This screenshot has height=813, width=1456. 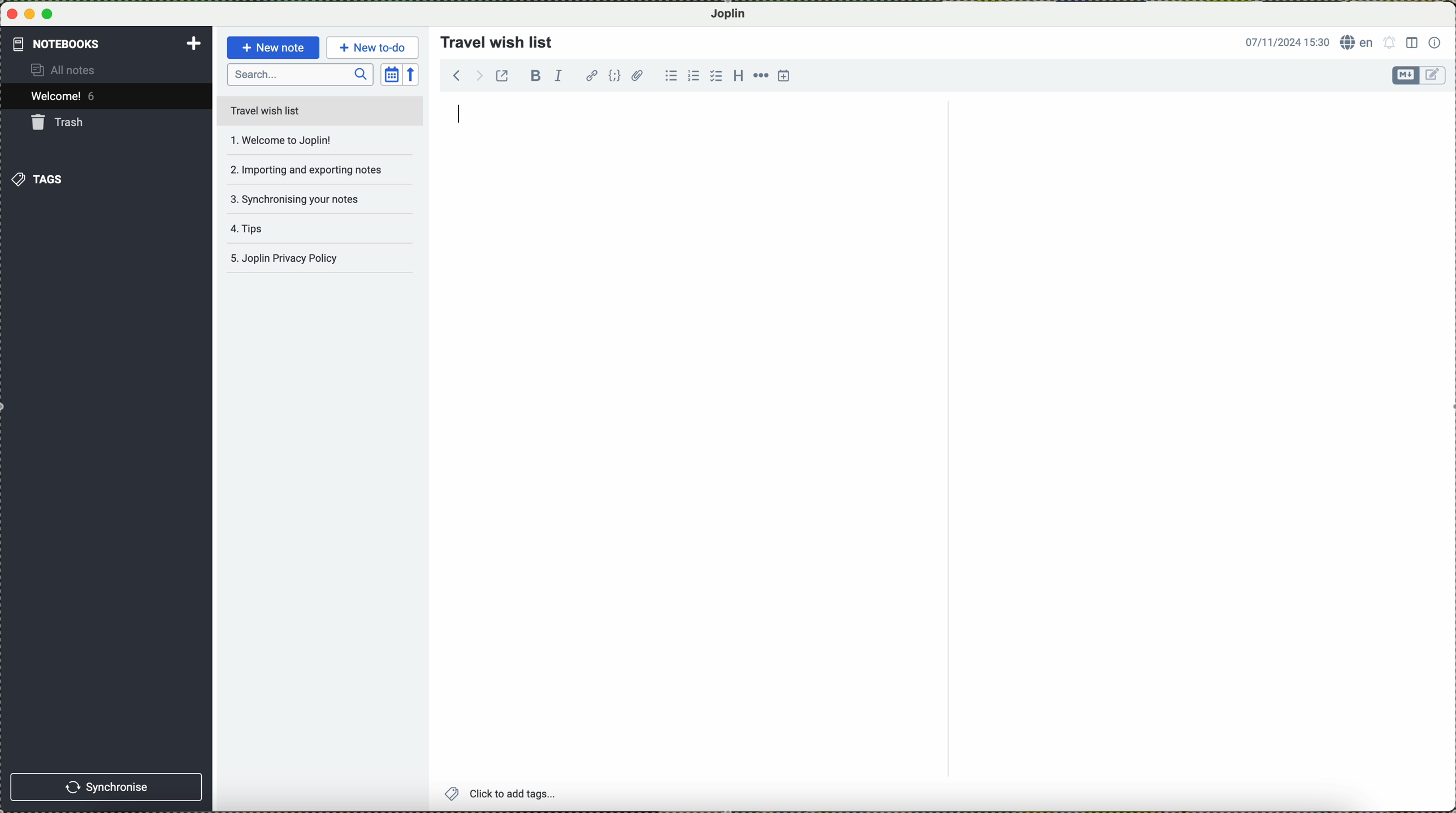 I want to click on importing and exporting notes, so click(x=306, y=168).